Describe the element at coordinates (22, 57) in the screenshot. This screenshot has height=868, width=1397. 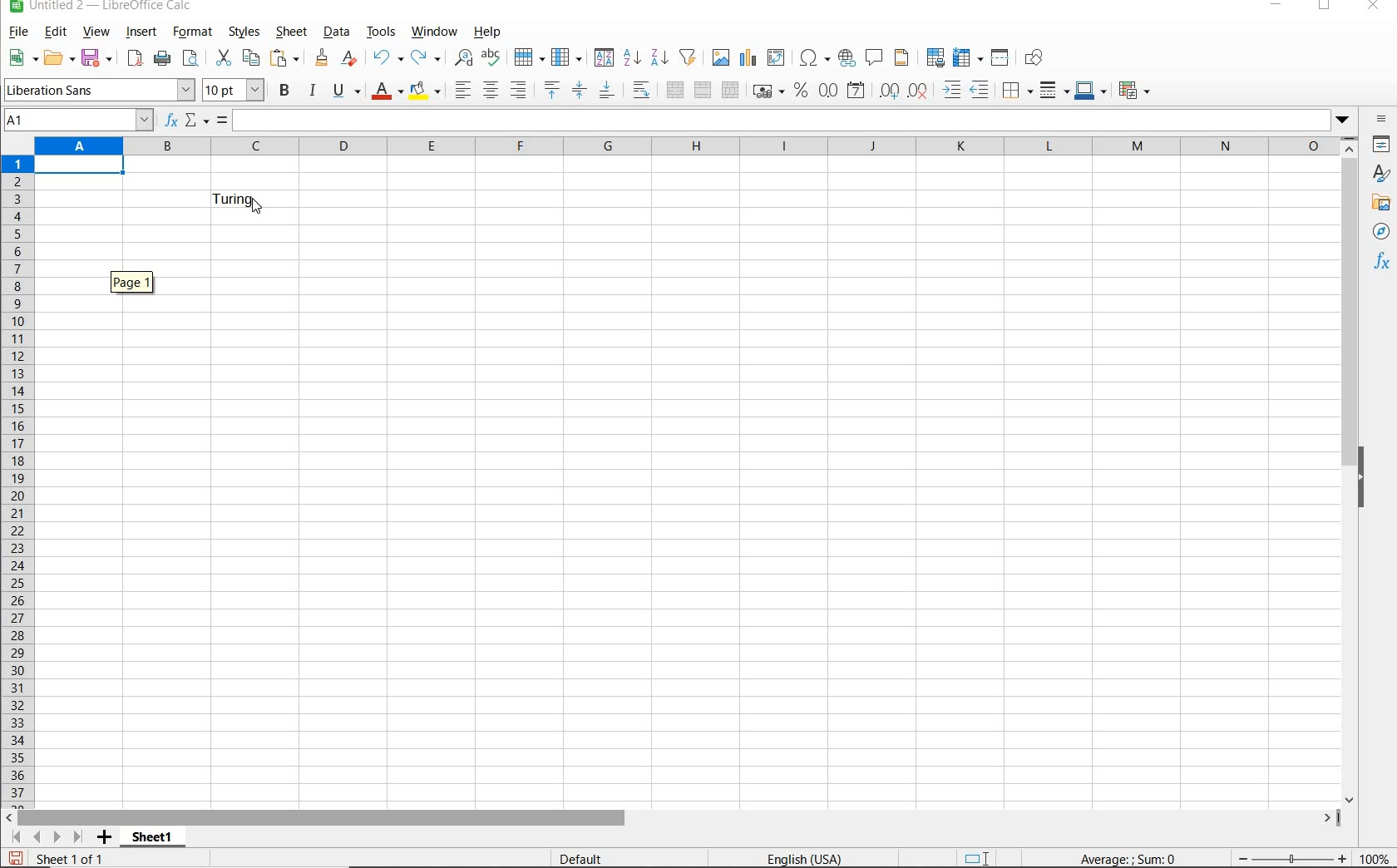
I see `NEW` at that location.